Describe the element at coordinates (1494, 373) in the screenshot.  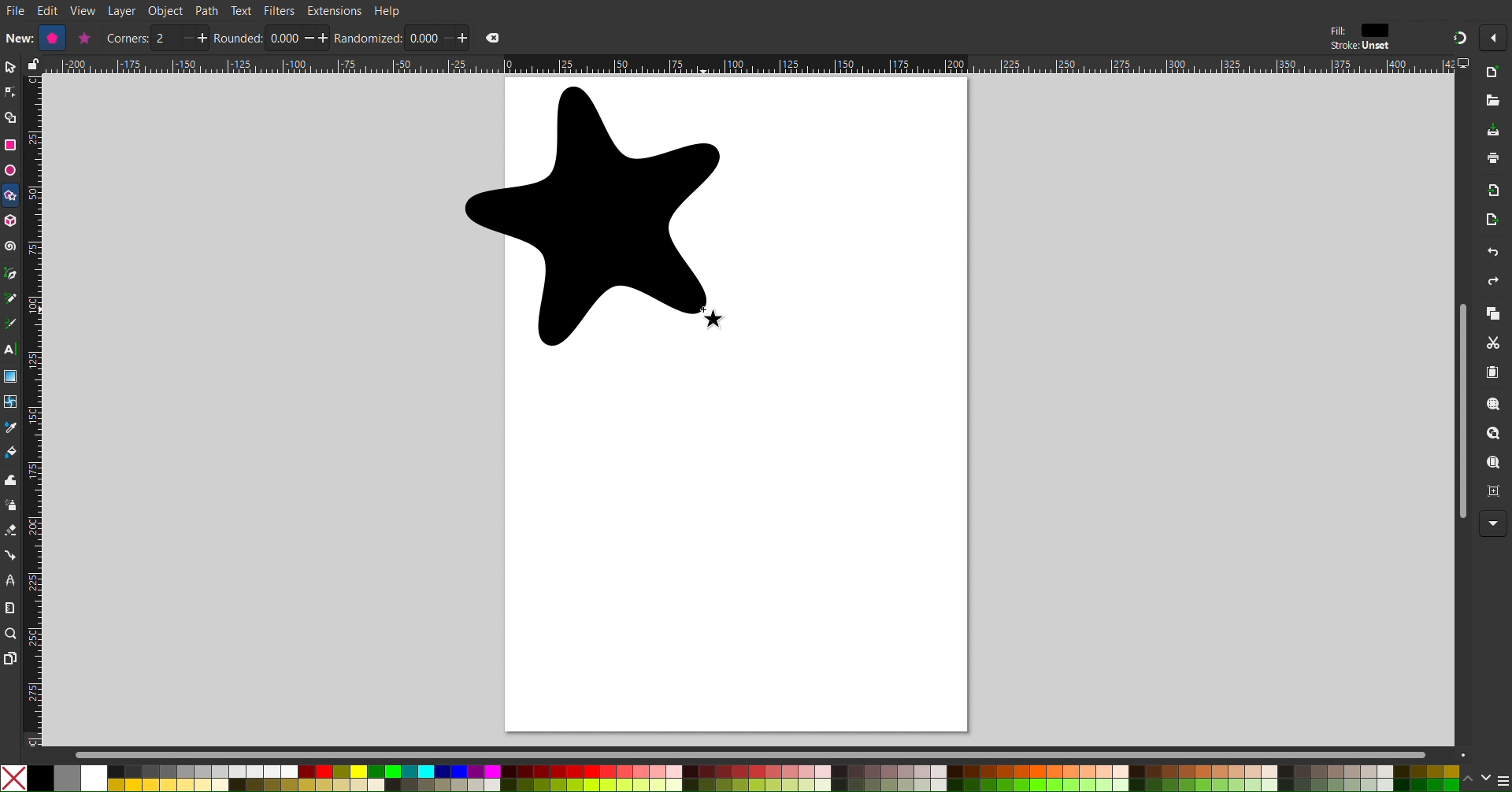
I see `Paste` at that location.